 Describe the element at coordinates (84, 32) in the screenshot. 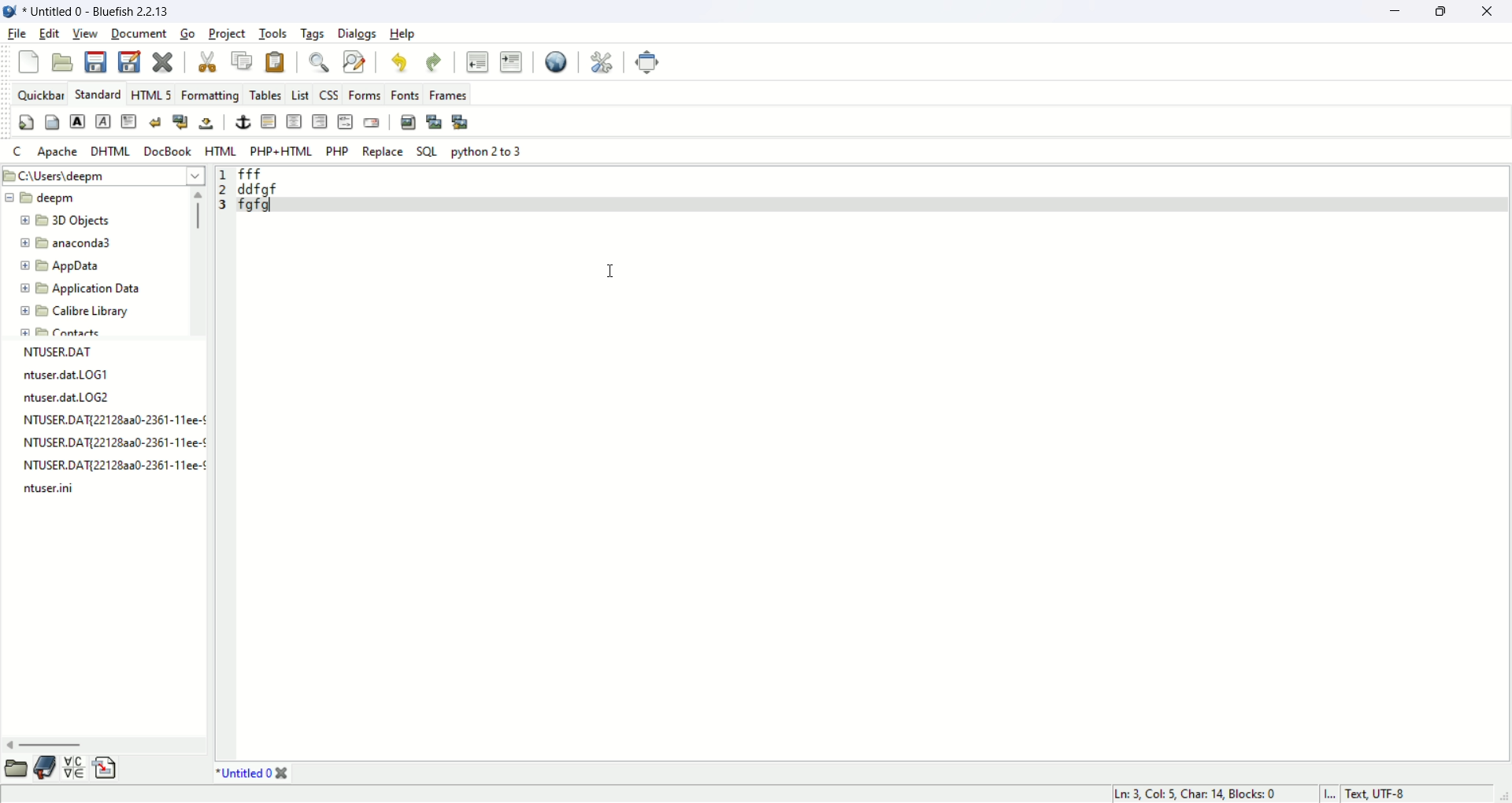

I see `view` at that location.